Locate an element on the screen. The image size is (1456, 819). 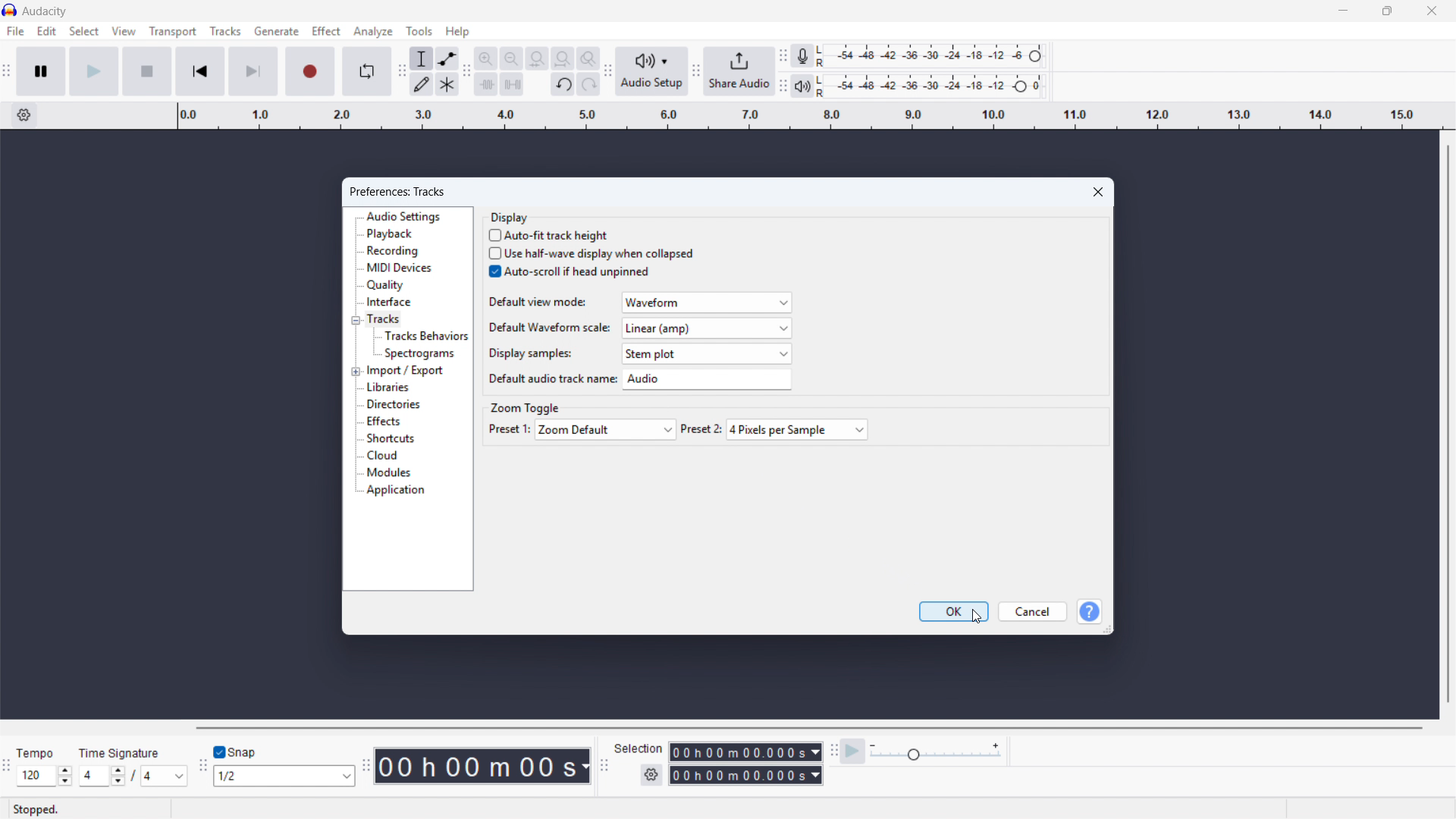
recording meter toolbar is located at coordinates (783, 55).